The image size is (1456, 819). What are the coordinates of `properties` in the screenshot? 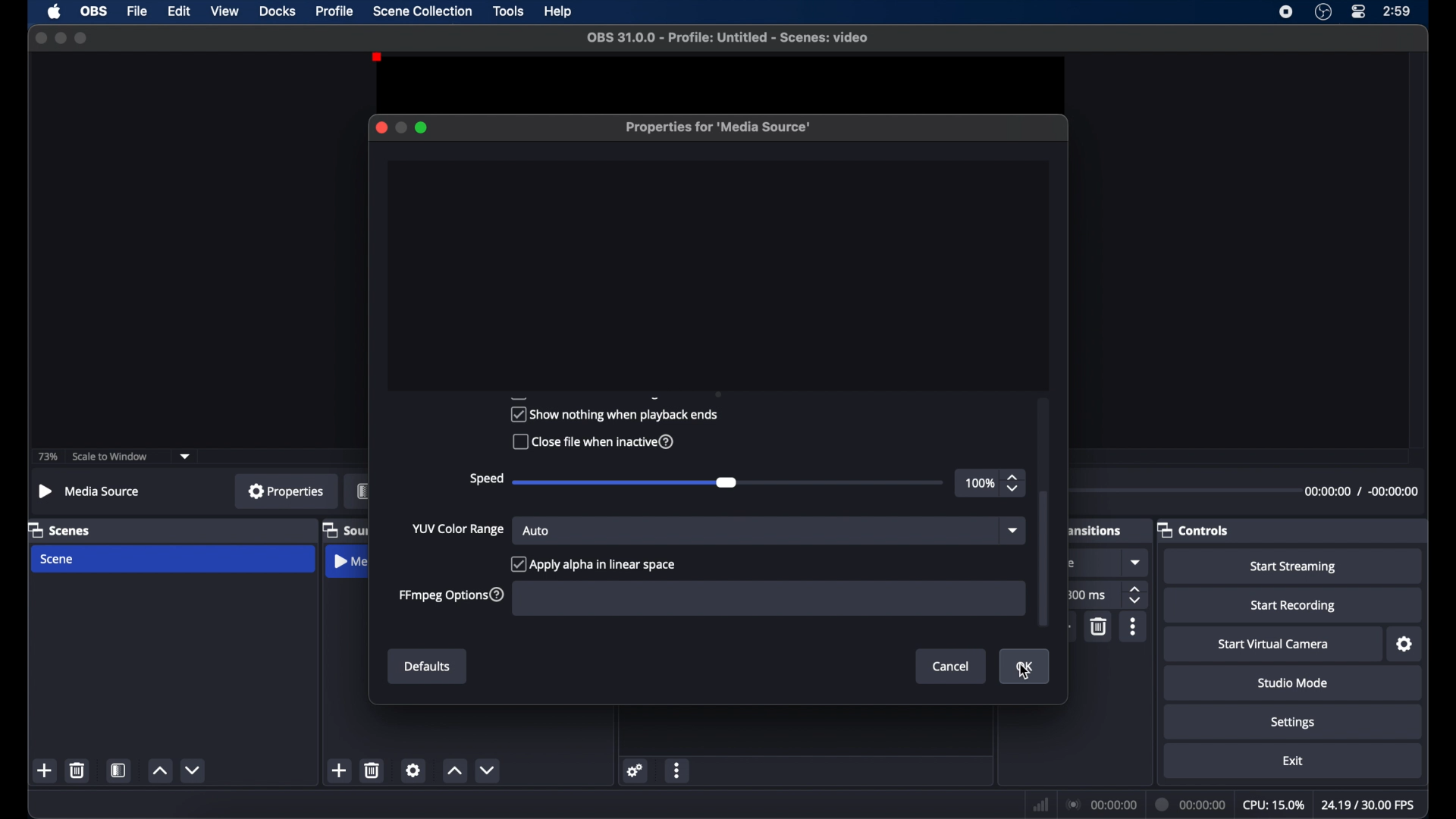 It's located at (286, 491).